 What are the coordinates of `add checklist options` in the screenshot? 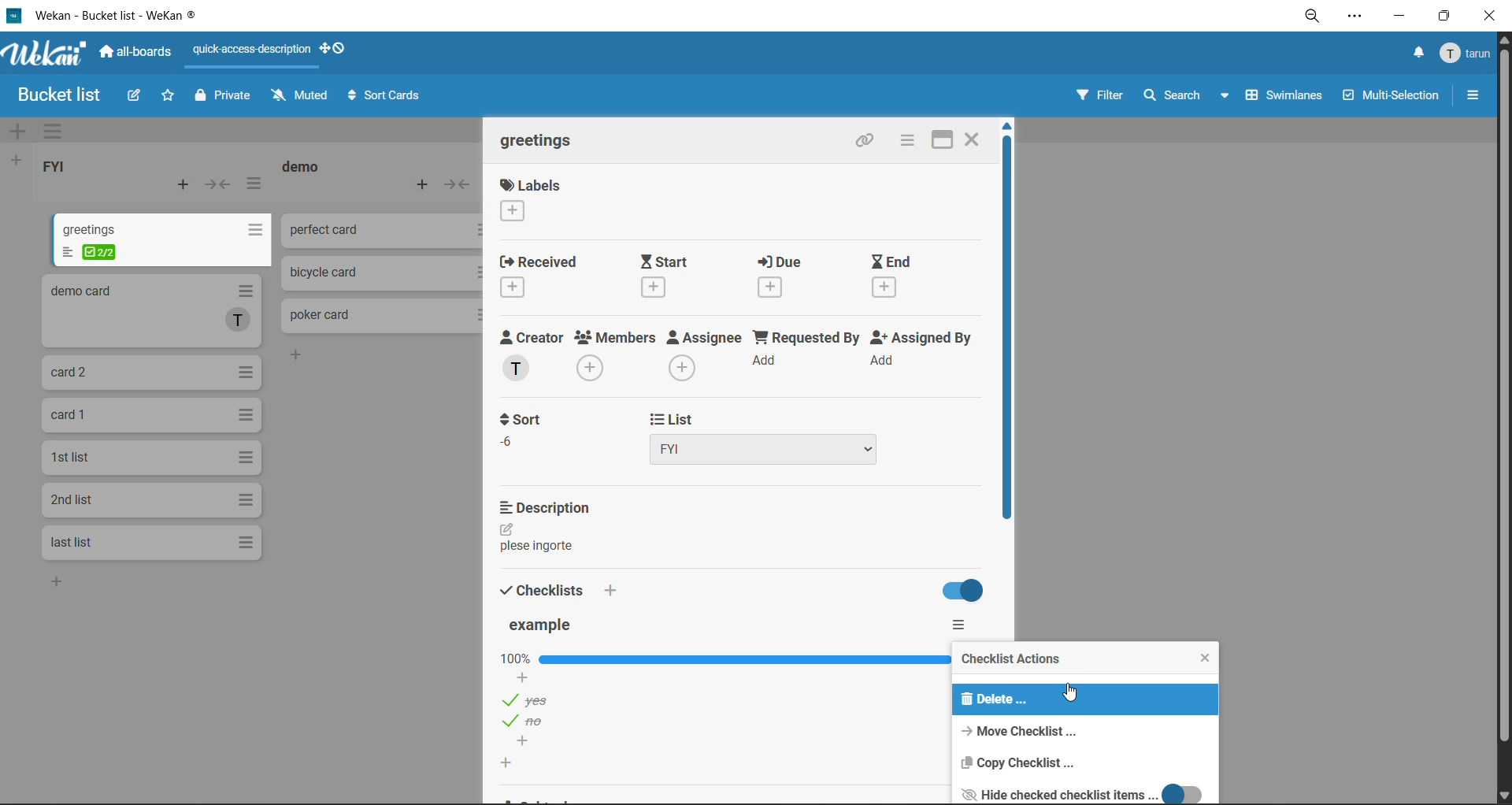 It's located at (534, 743).